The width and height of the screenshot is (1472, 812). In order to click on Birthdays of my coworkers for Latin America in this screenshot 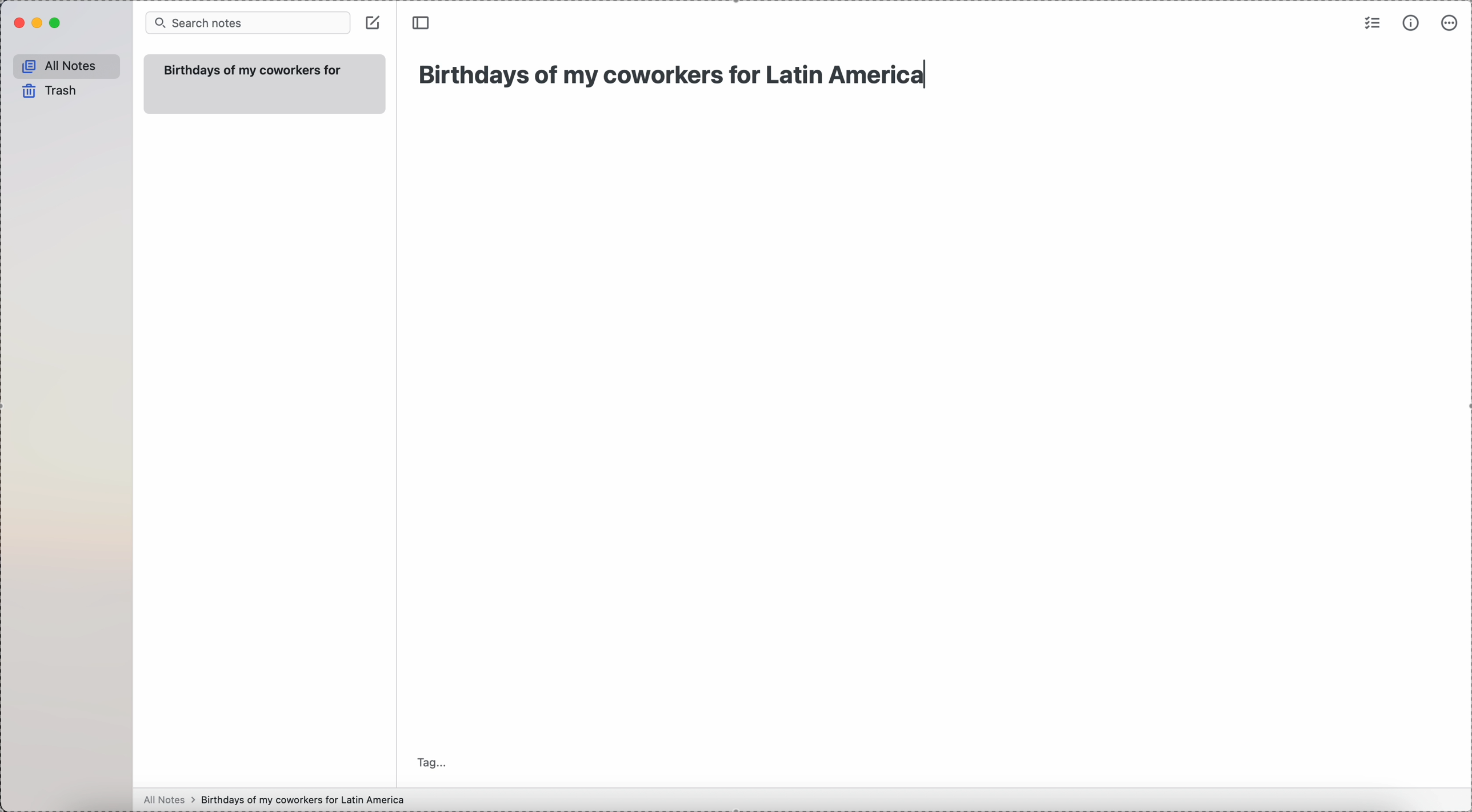, I will do `click(250, 69)`.